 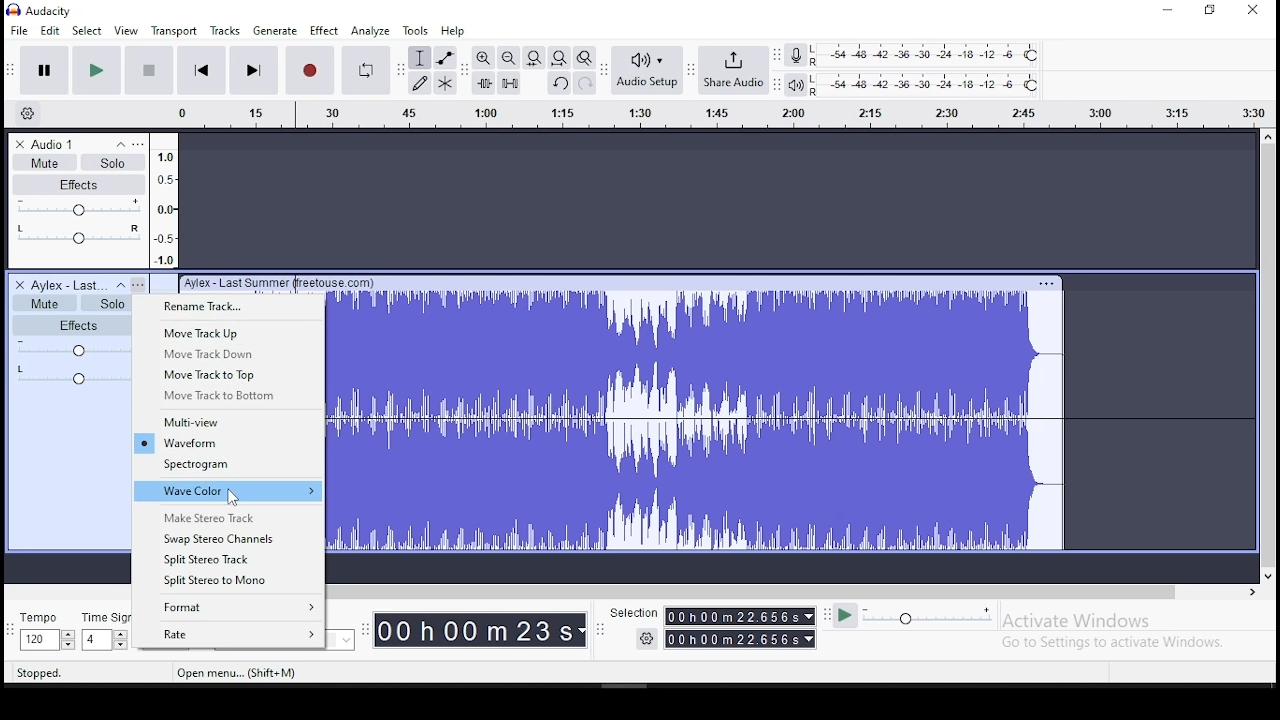 I want to click on pan, so click(x=70, y=374).